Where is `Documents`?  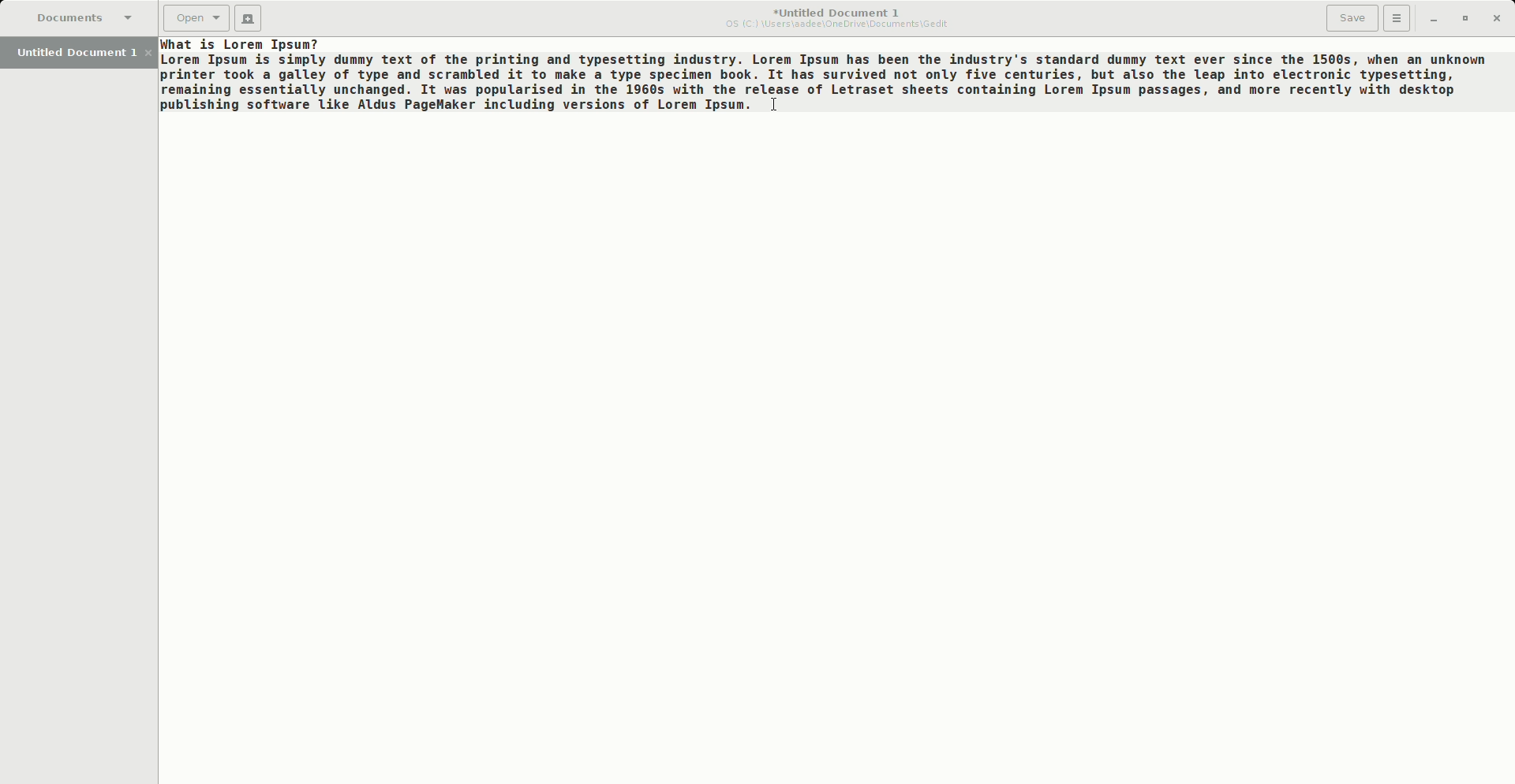
Documents is located at coordinates (82, 17).